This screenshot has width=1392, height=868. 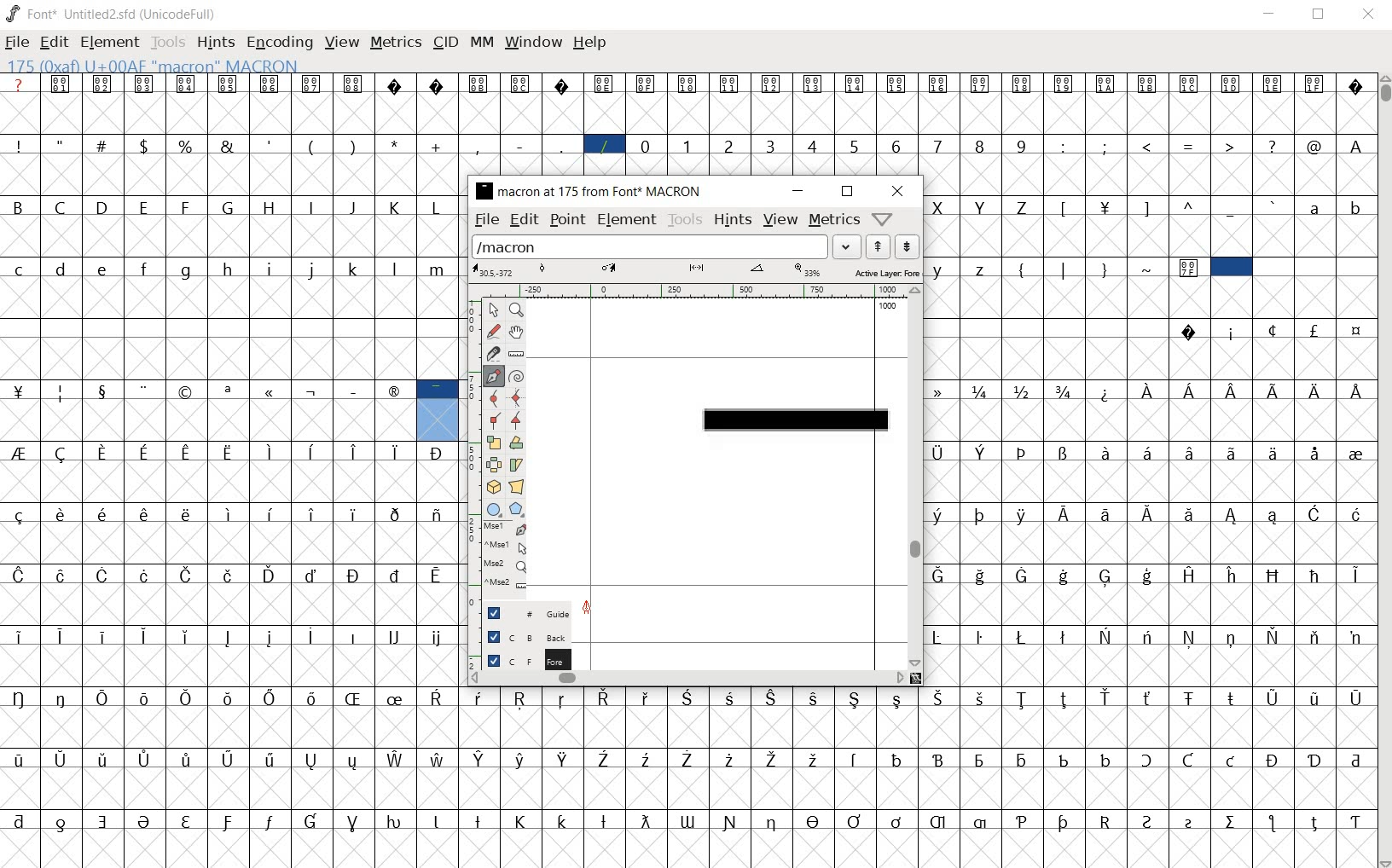 I want to click on J, so click(x=354, y=207).